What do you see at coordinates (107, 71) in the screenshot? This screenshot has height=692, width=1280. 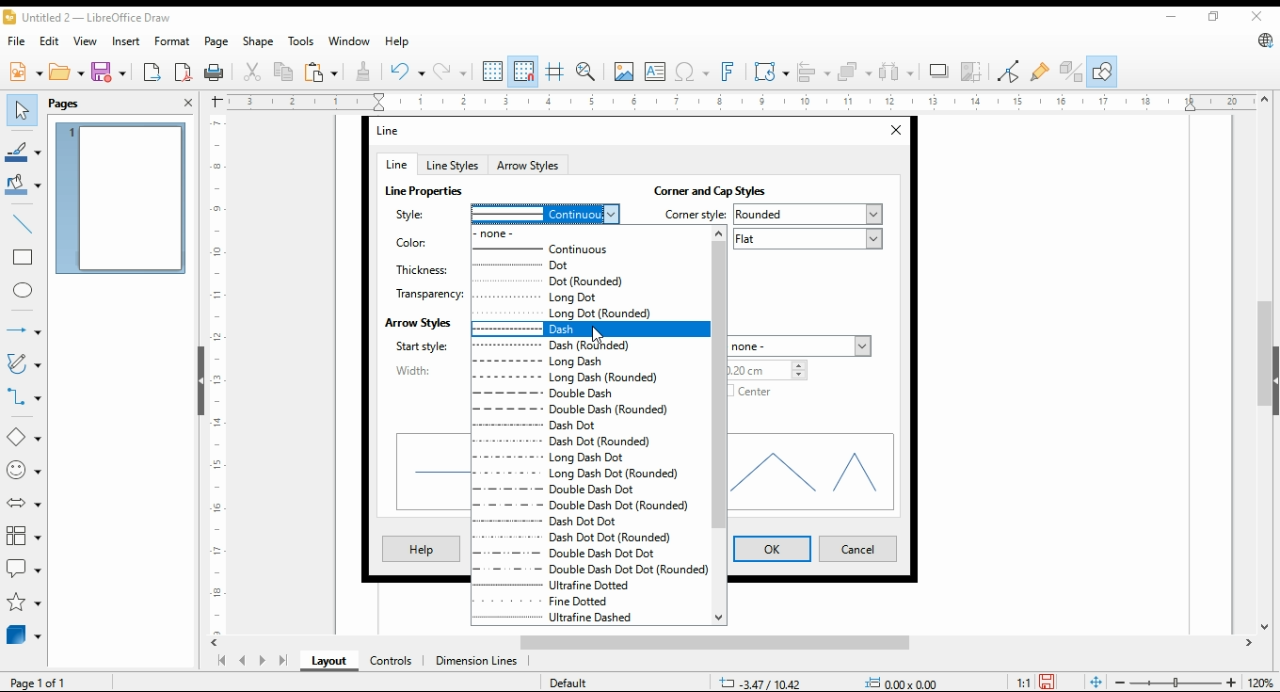 I see `save` at bounding box center [107, 71].